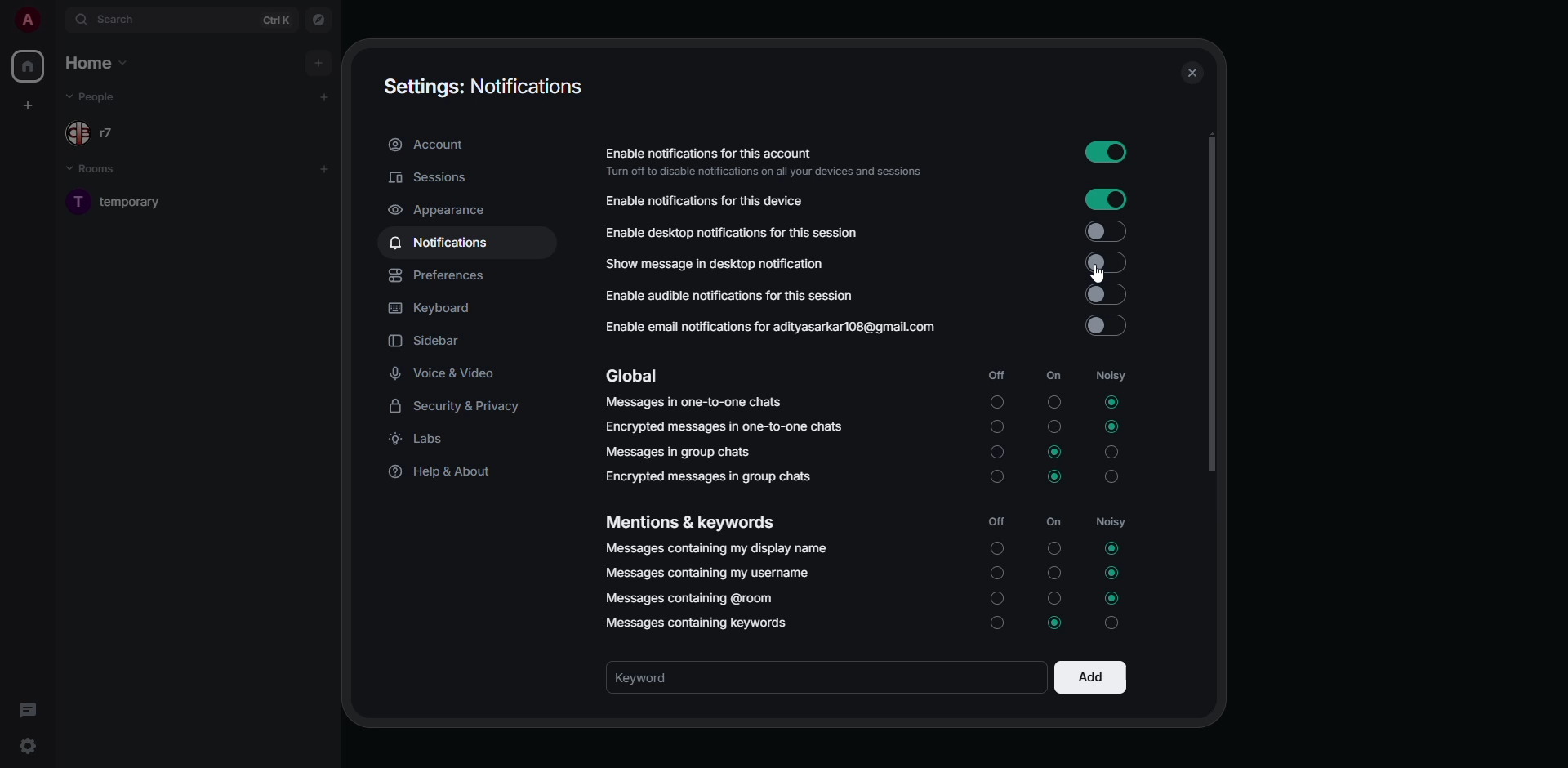 The height and width of the screenshot is (768, 1568). Describe the element at coordinates (706, 476) in the screenshot. I see `encrypted messages in group chat` at that location.